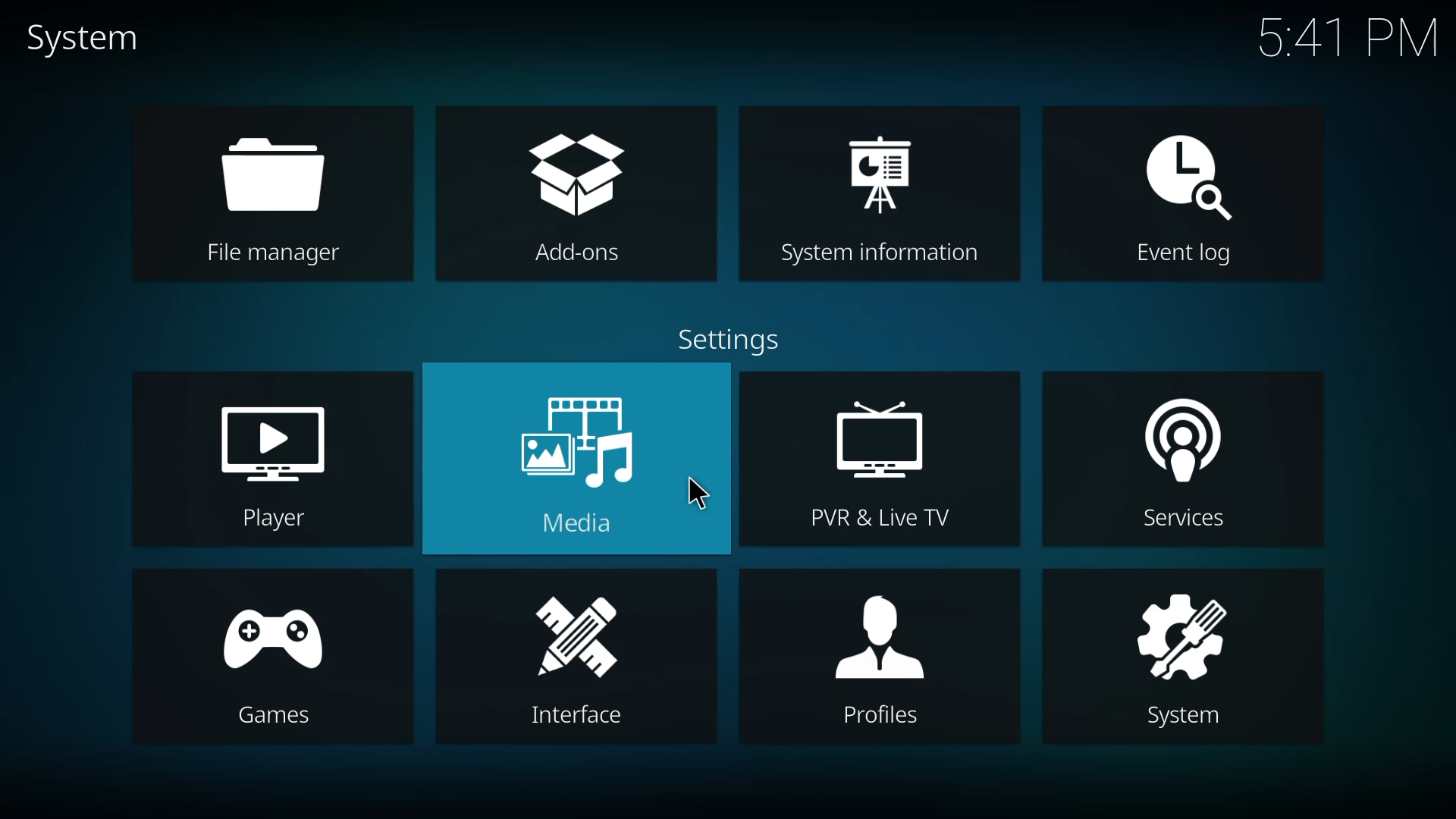 This screenshot has height=819, width=1456. Describe the element at coordinates (1181, 196) in the screenshot. I see `event log` at that location.